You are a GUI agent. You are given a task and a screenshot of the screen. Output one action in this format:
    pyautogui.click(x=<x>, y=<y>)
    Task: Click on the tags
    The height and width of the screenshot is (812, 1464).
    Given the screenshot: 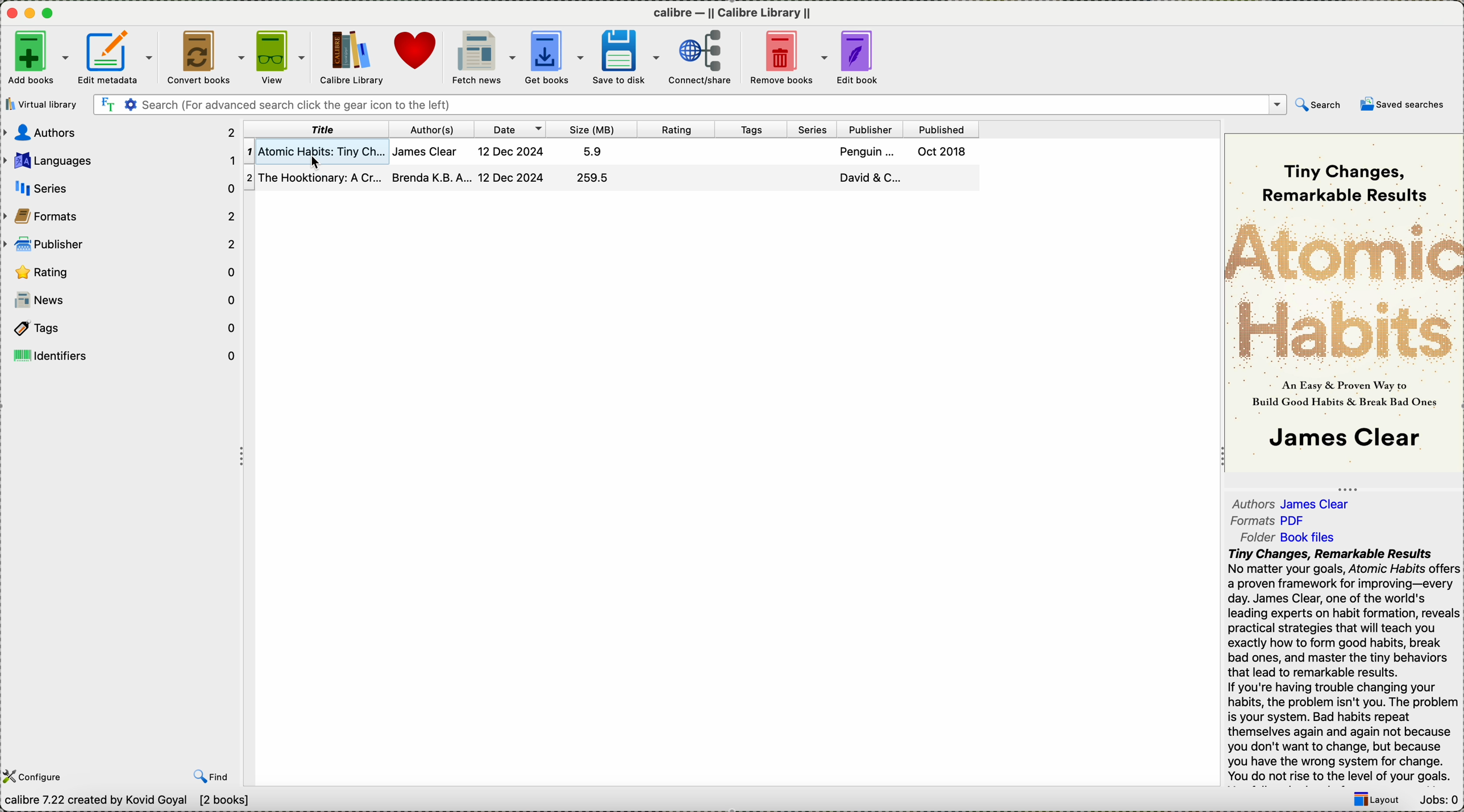 What is the action you would take?
    pyautogui.click(x=751, y=129)
    